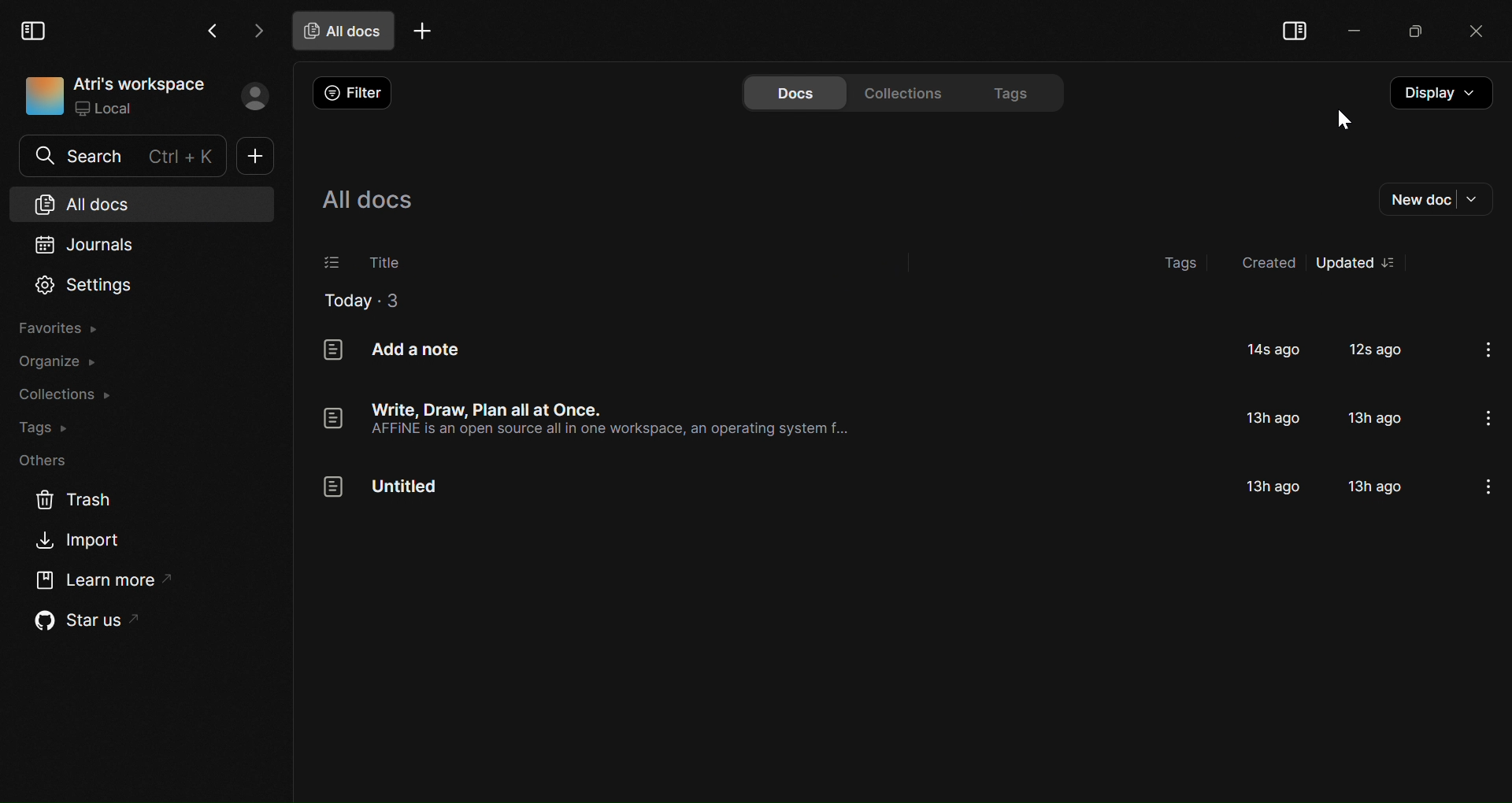  I want to click on All docs, so click(344, 30).